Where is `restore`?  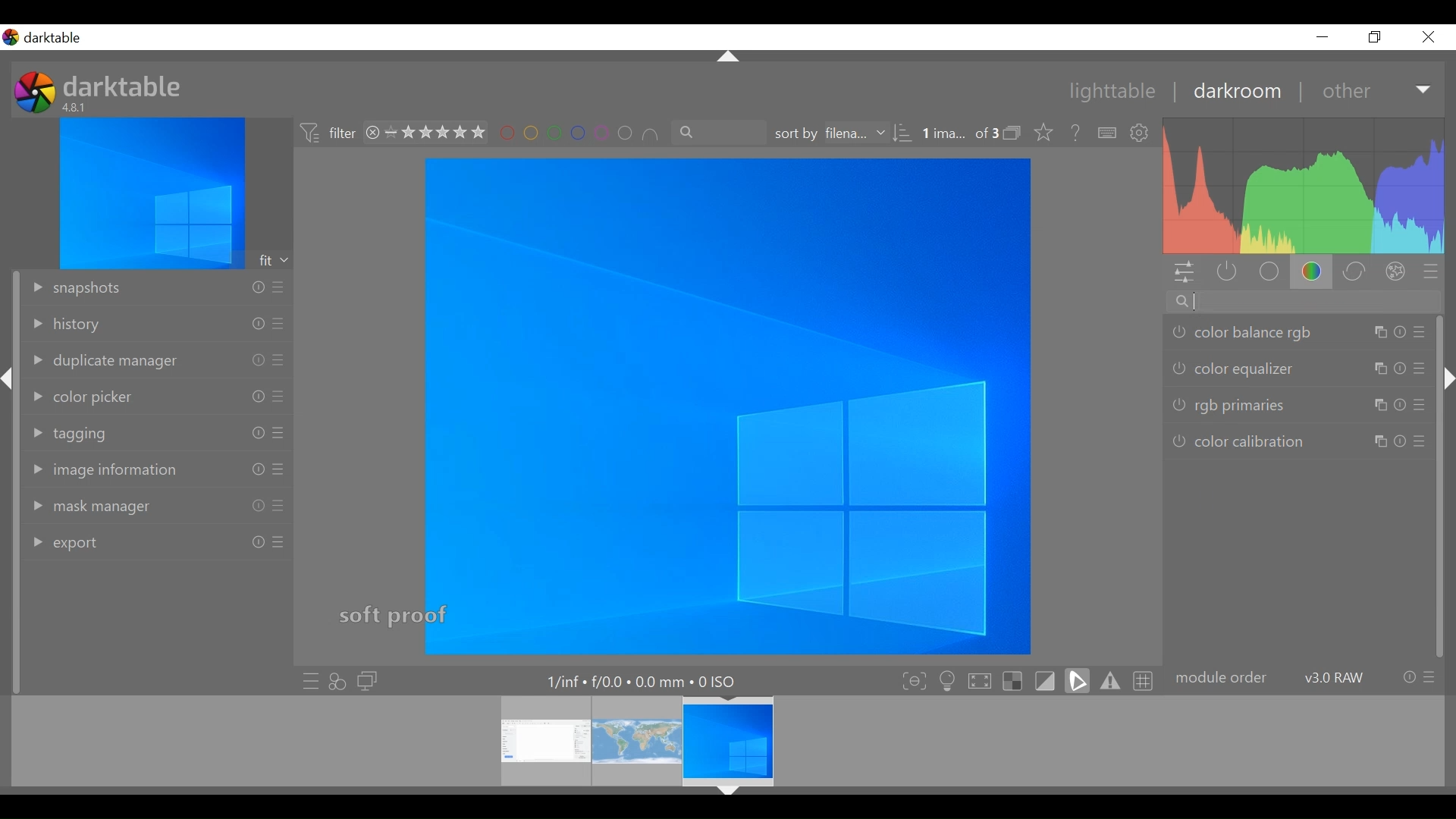
restore is located at coordinates (1373, 37).